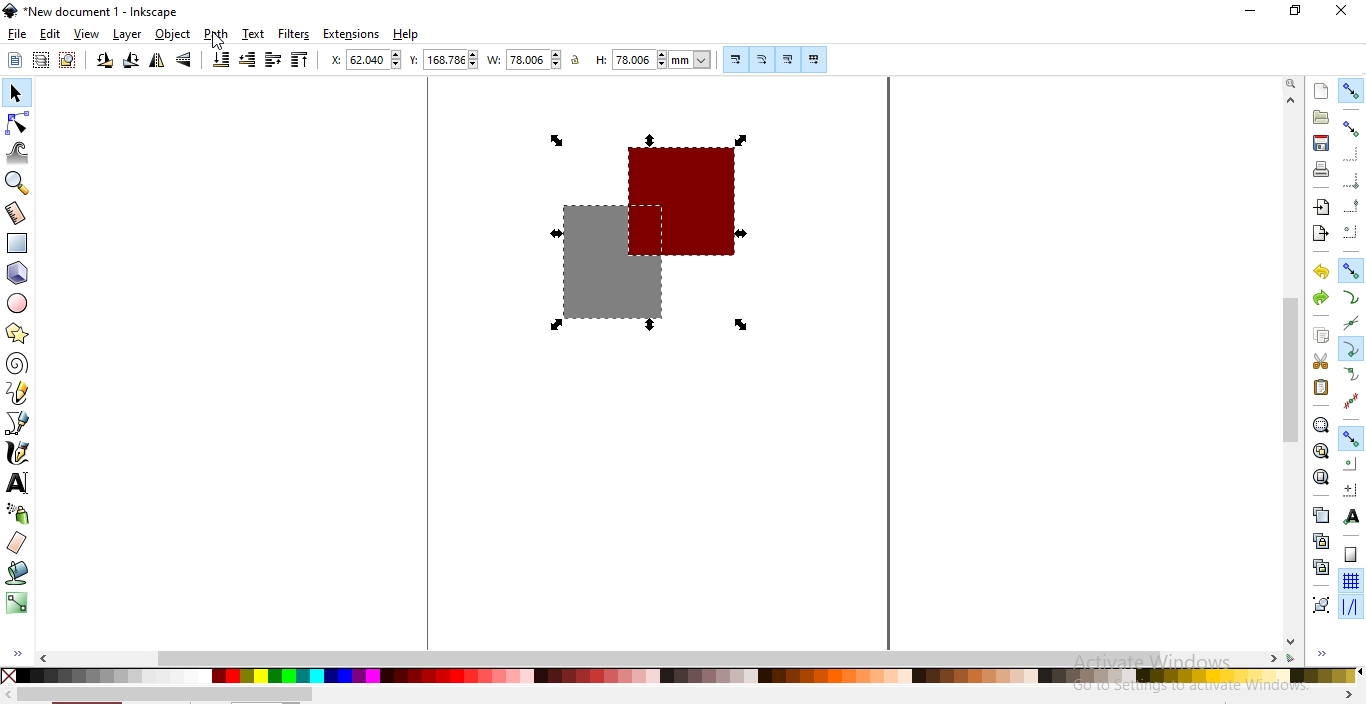  I want to click on snap midpoints of bounding box edges, so click(1352, 206).